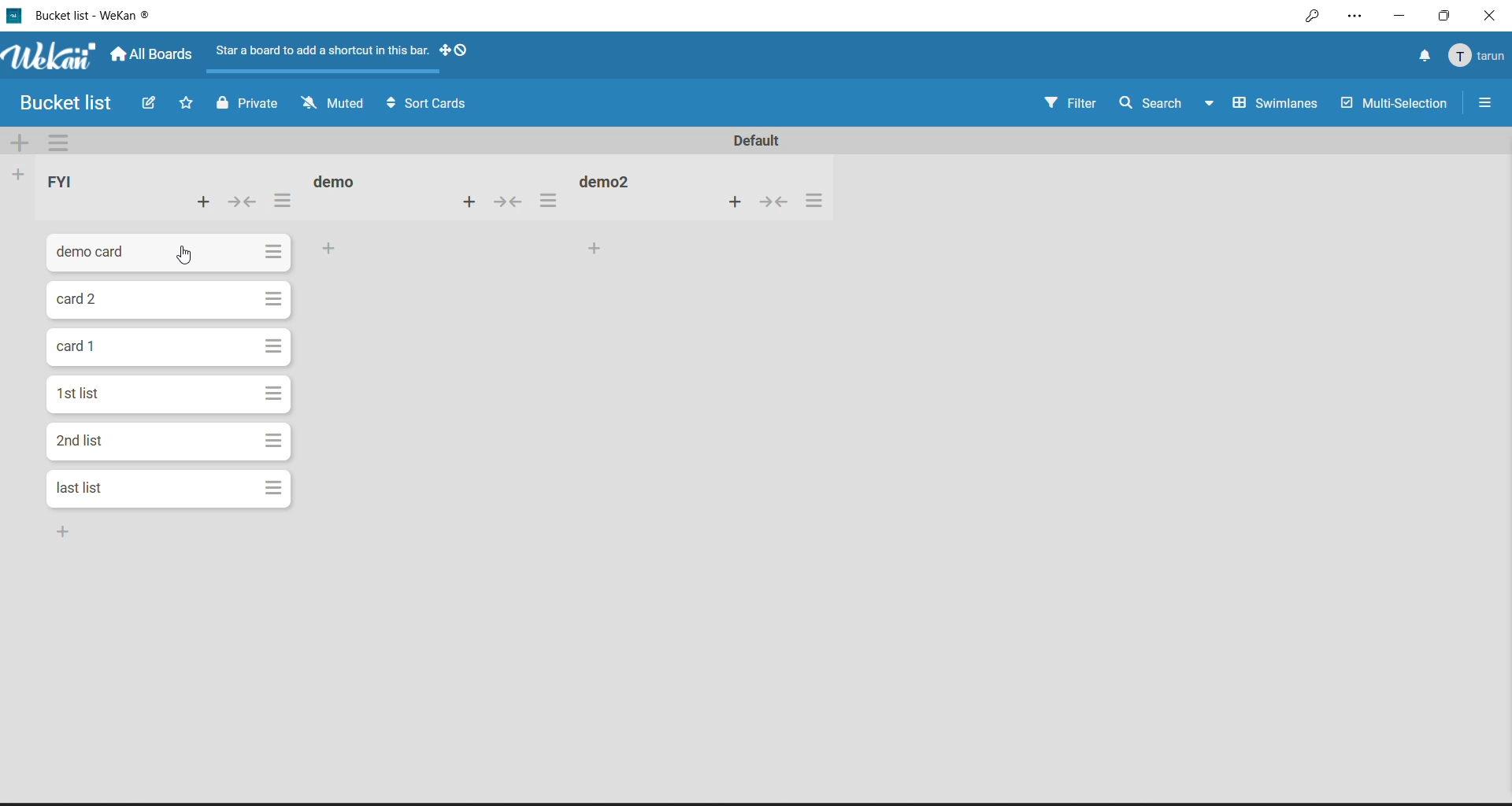 The height and width of the screenshot is (806, 1512). I want to click on list title, so click(65, 183).